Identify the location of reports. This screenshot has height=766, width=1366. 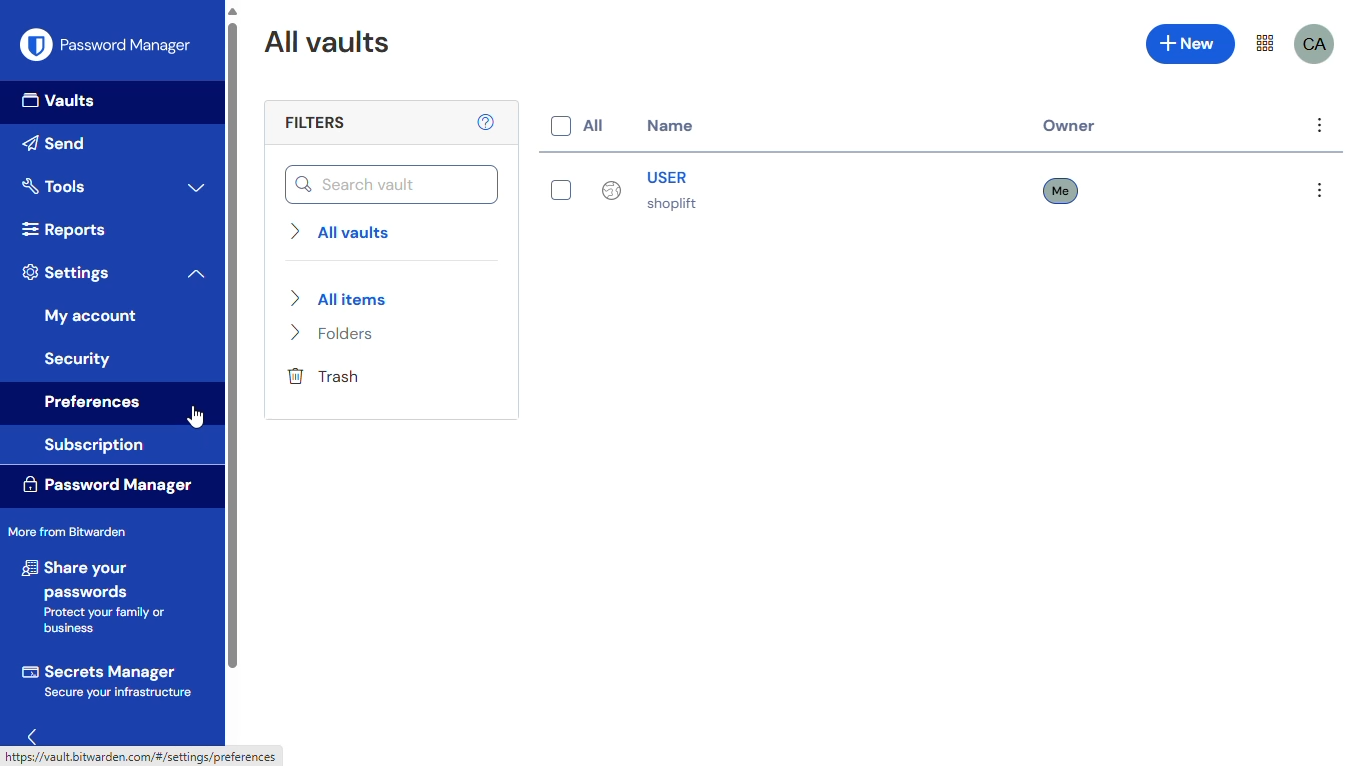
(62, 229).